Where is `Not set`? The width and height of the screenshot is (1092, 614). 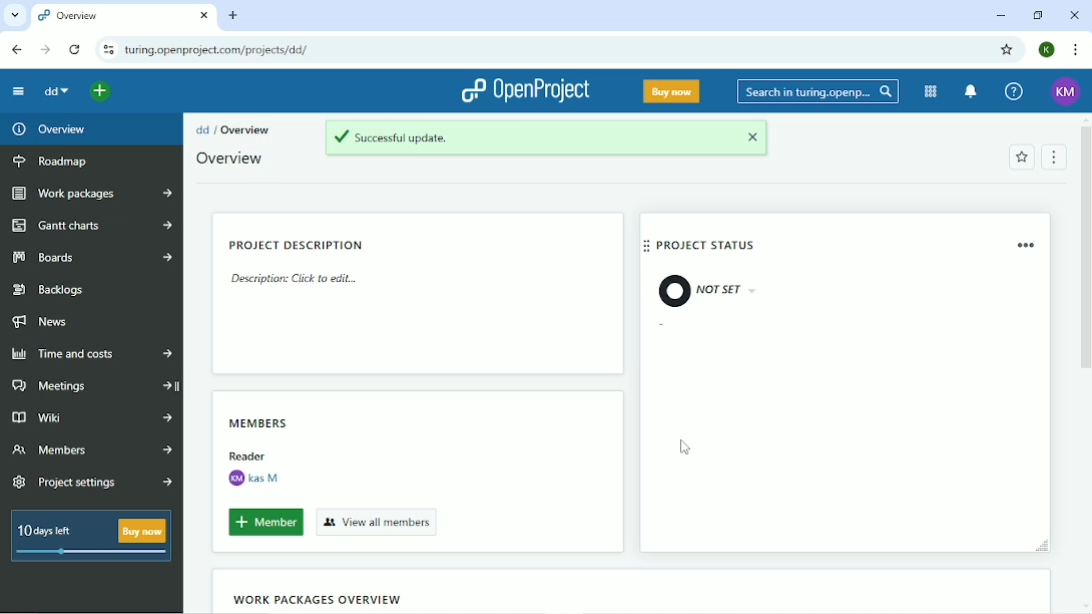
Not set is located at coordinates (700, 291).